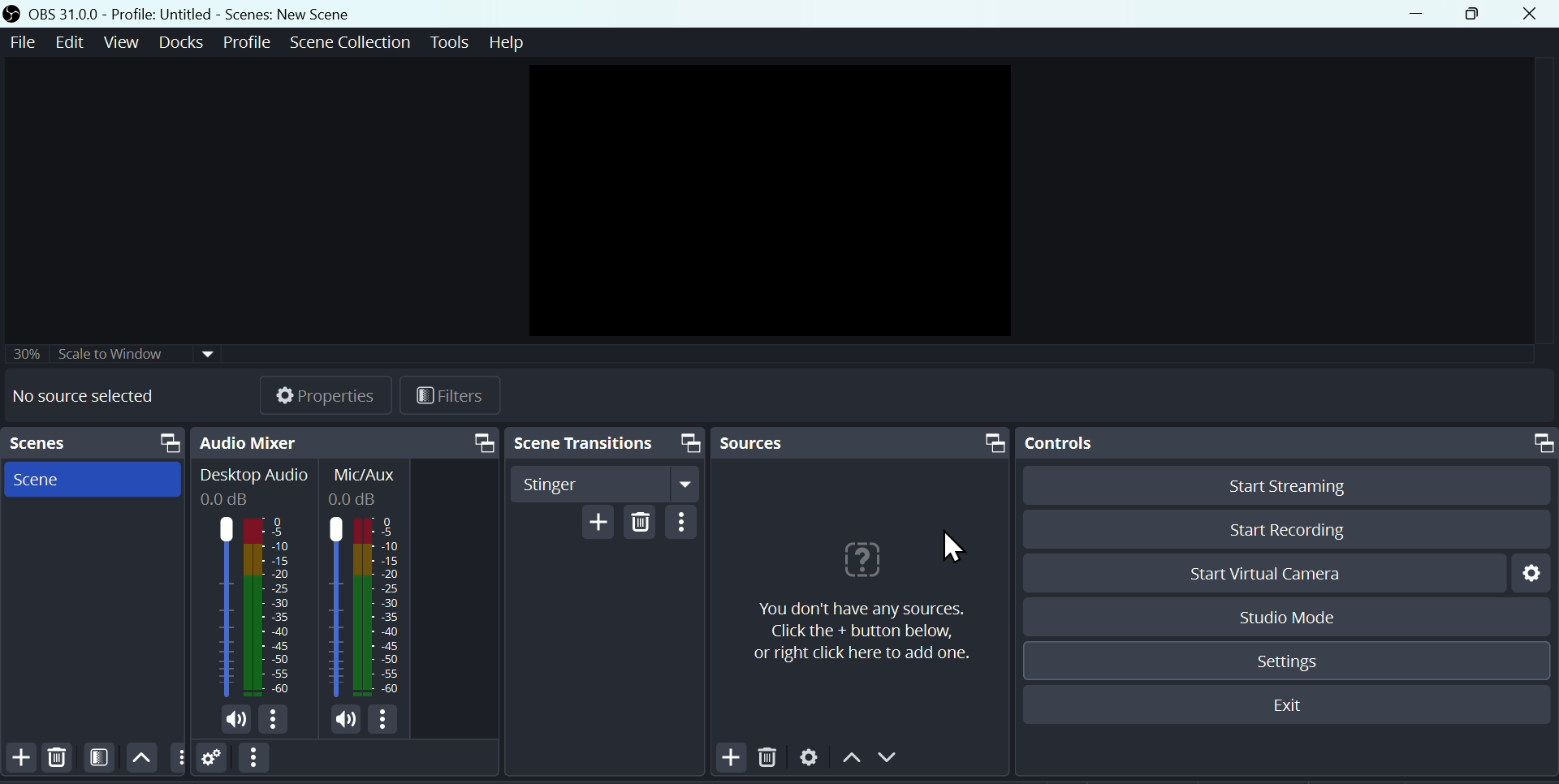  I want to click on Desktop Audio, so click(248, 579).